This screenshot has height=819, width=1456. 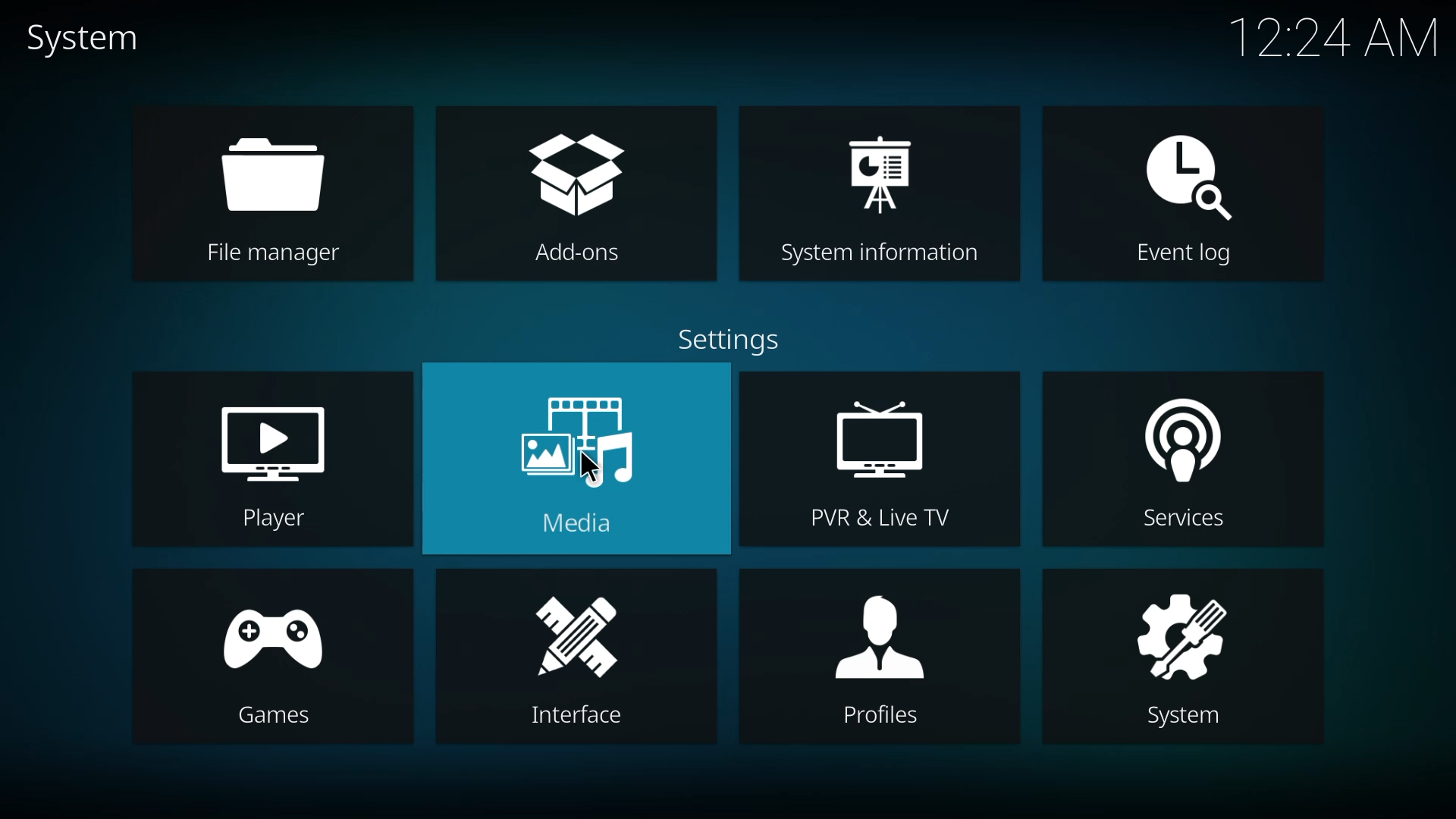 What do you see at coordinates (879, 197) in the screenshot?
I see `system information` at bounding box center [879, 197].